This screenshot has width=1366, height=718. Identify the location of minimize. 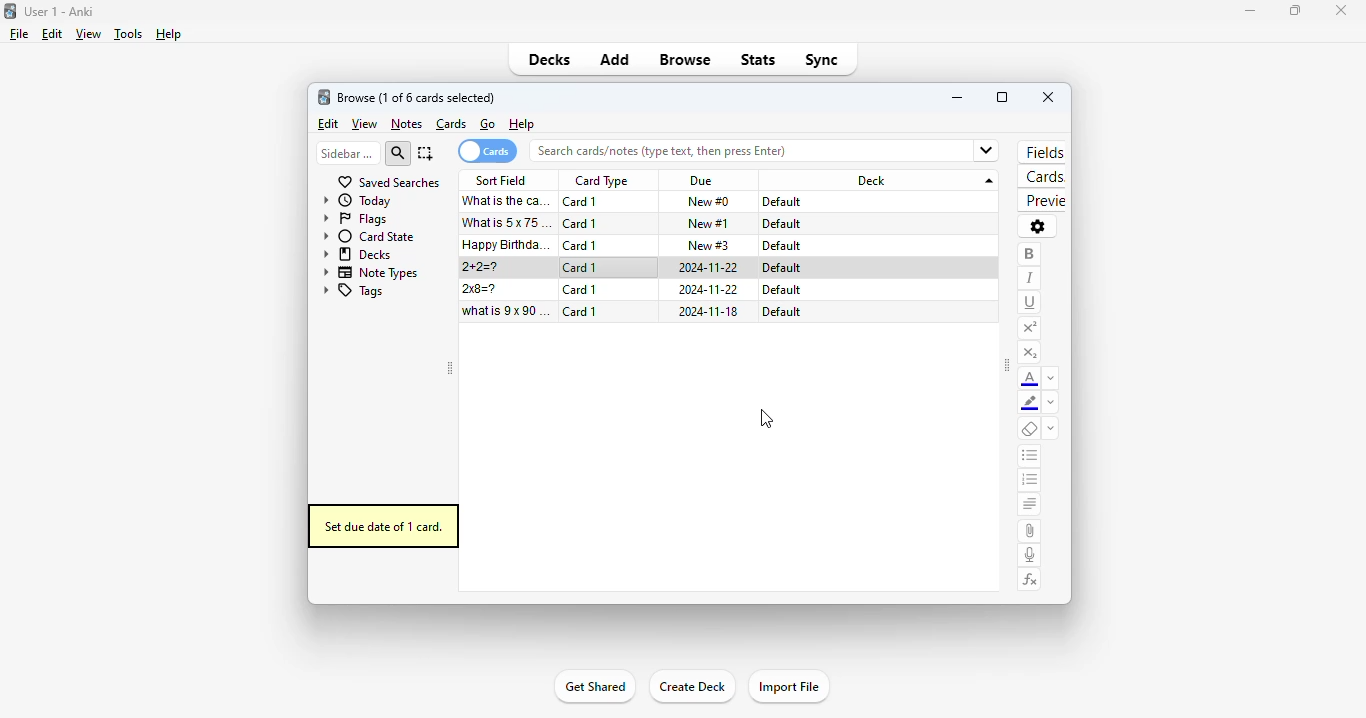
(1244, 11).